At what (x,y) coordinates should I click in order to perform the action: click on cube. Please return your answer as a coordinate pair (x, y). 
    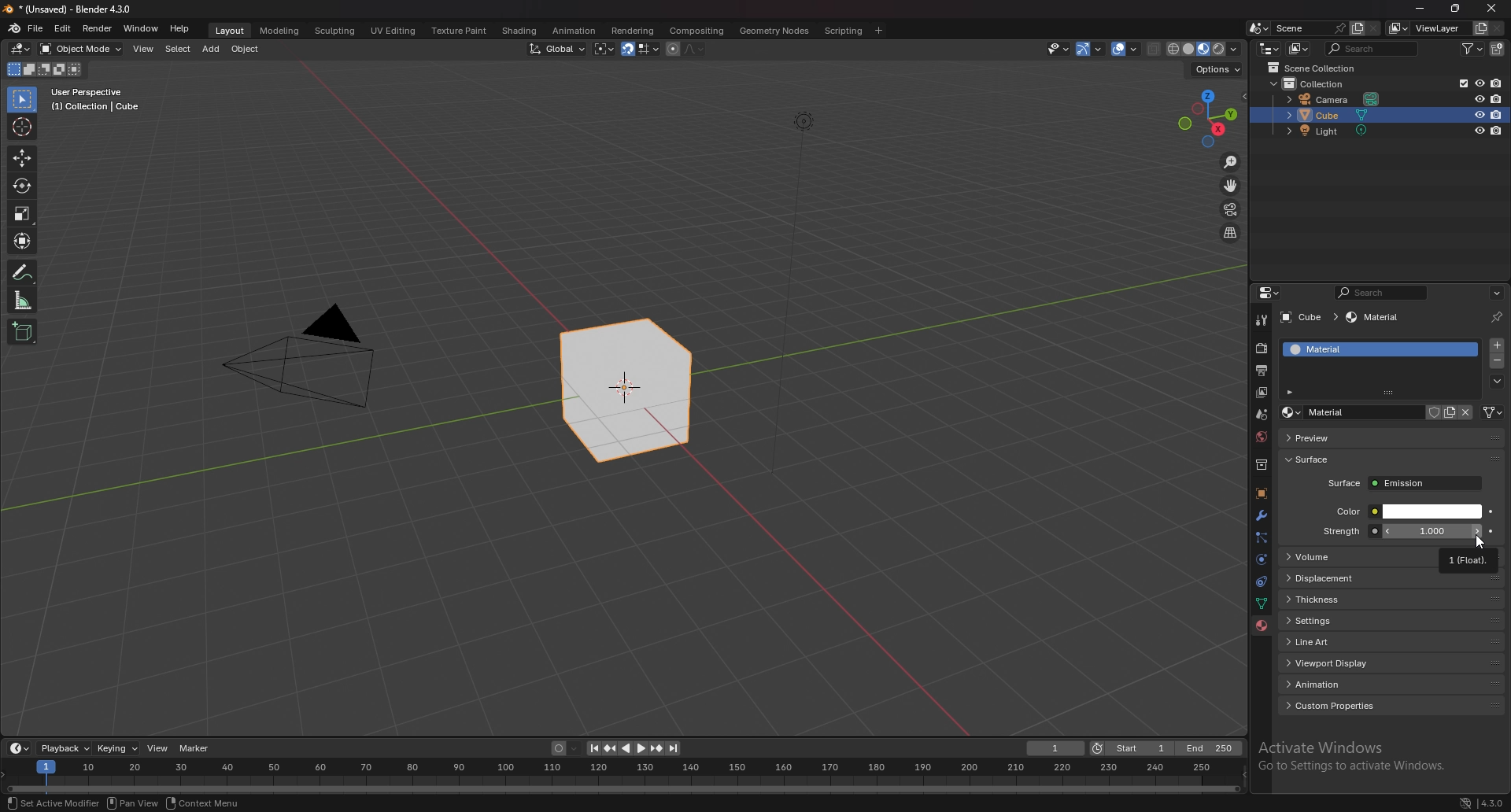
    Looking at the image, I should click on (626, 392).